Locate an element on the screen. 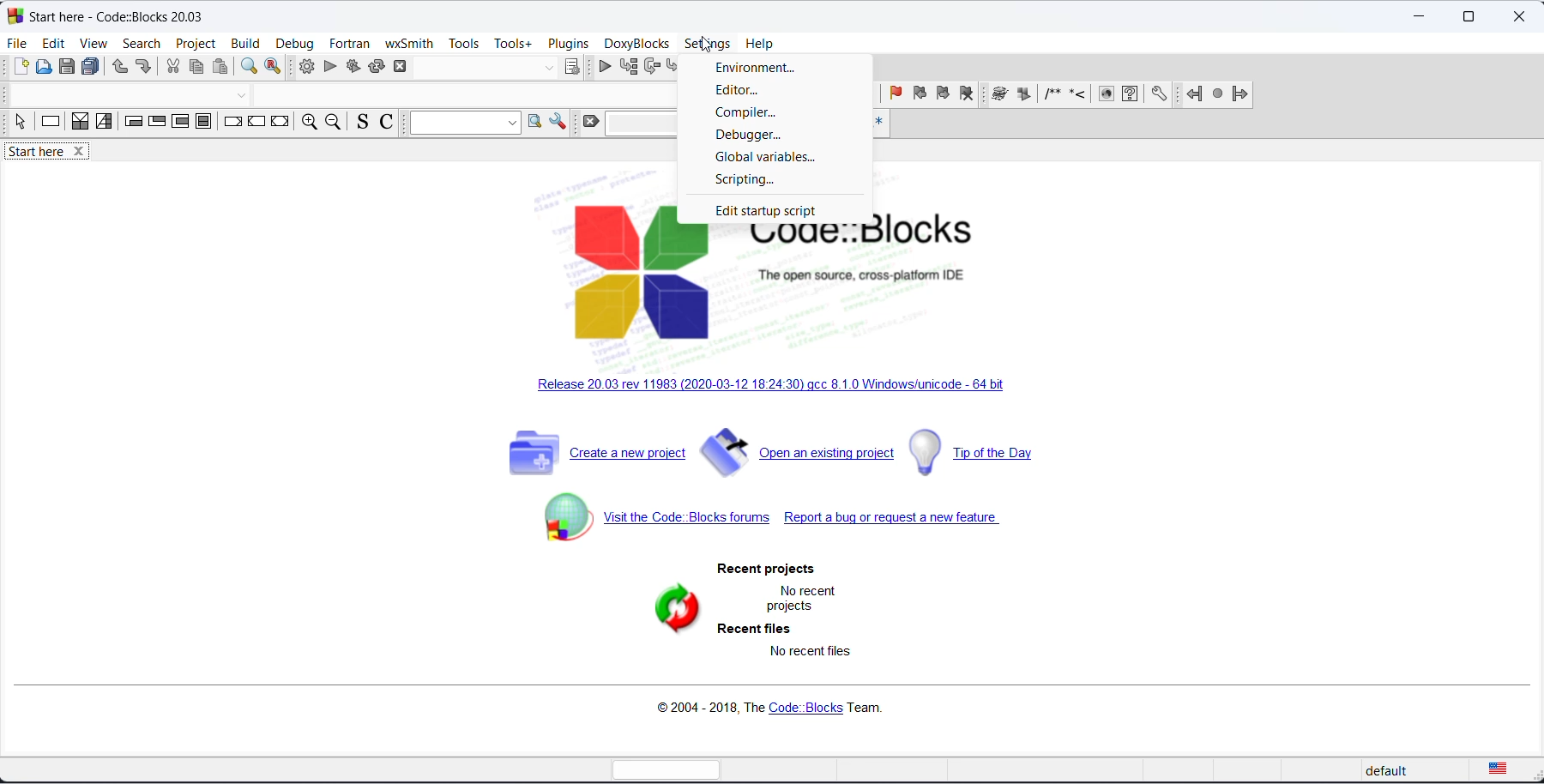  fortran is located at coordinates (352, 43).